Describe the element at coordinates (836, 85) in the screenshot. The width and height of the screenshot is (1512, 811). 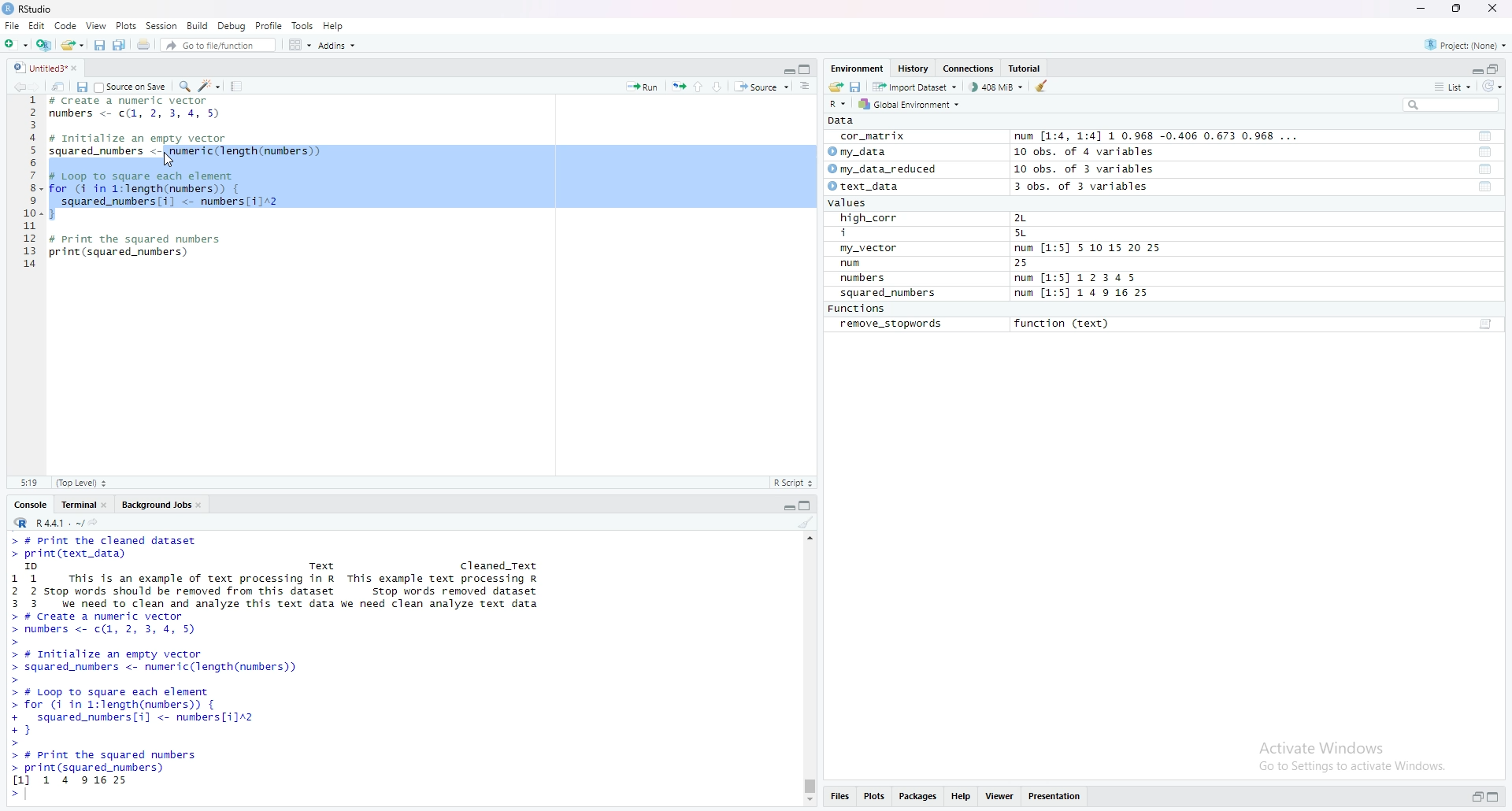
I see `Load Workspace` at that location.